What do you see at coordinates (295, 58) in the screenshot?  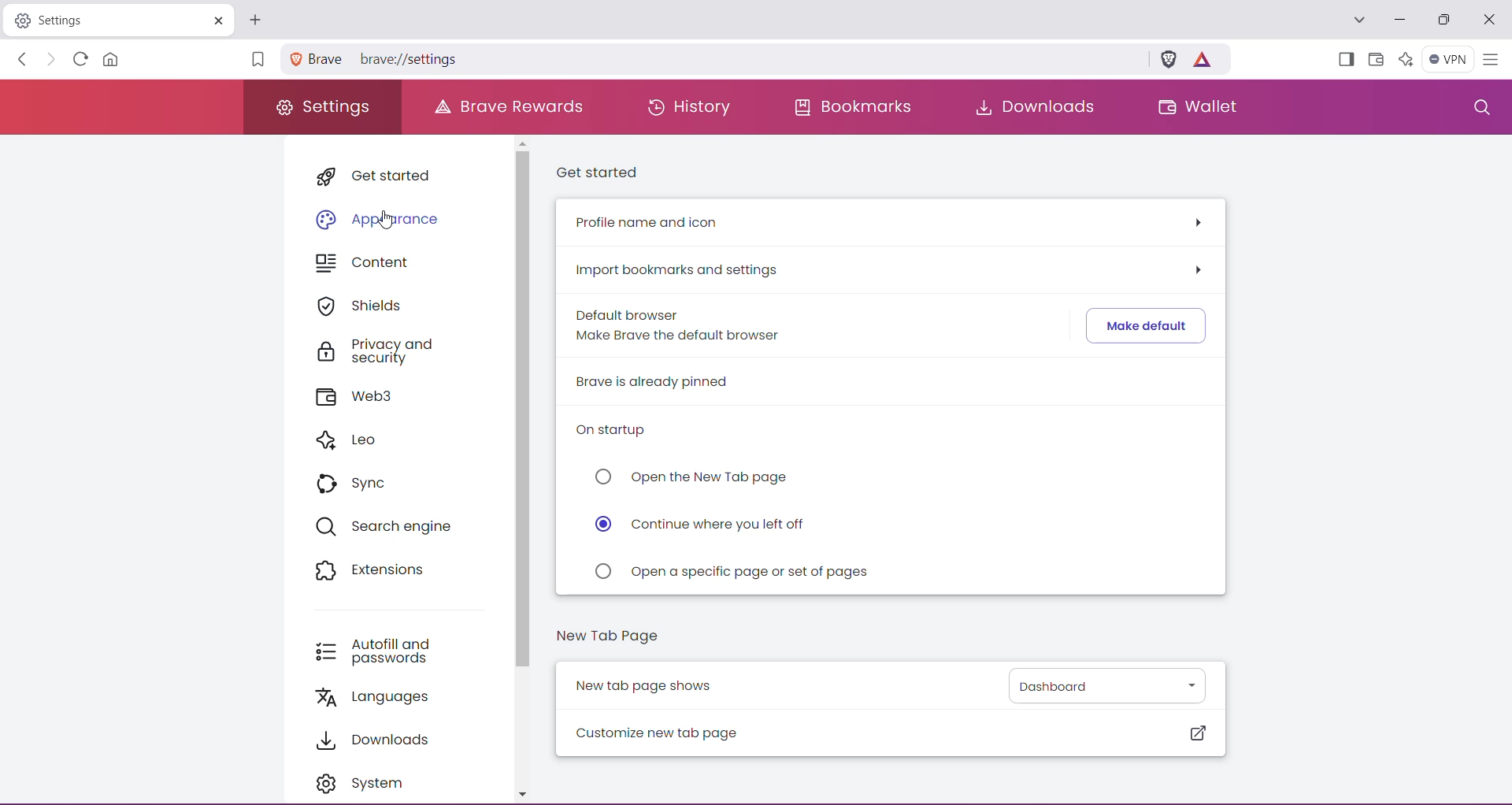 I see `Site Information` at bounding box center [295, 58].